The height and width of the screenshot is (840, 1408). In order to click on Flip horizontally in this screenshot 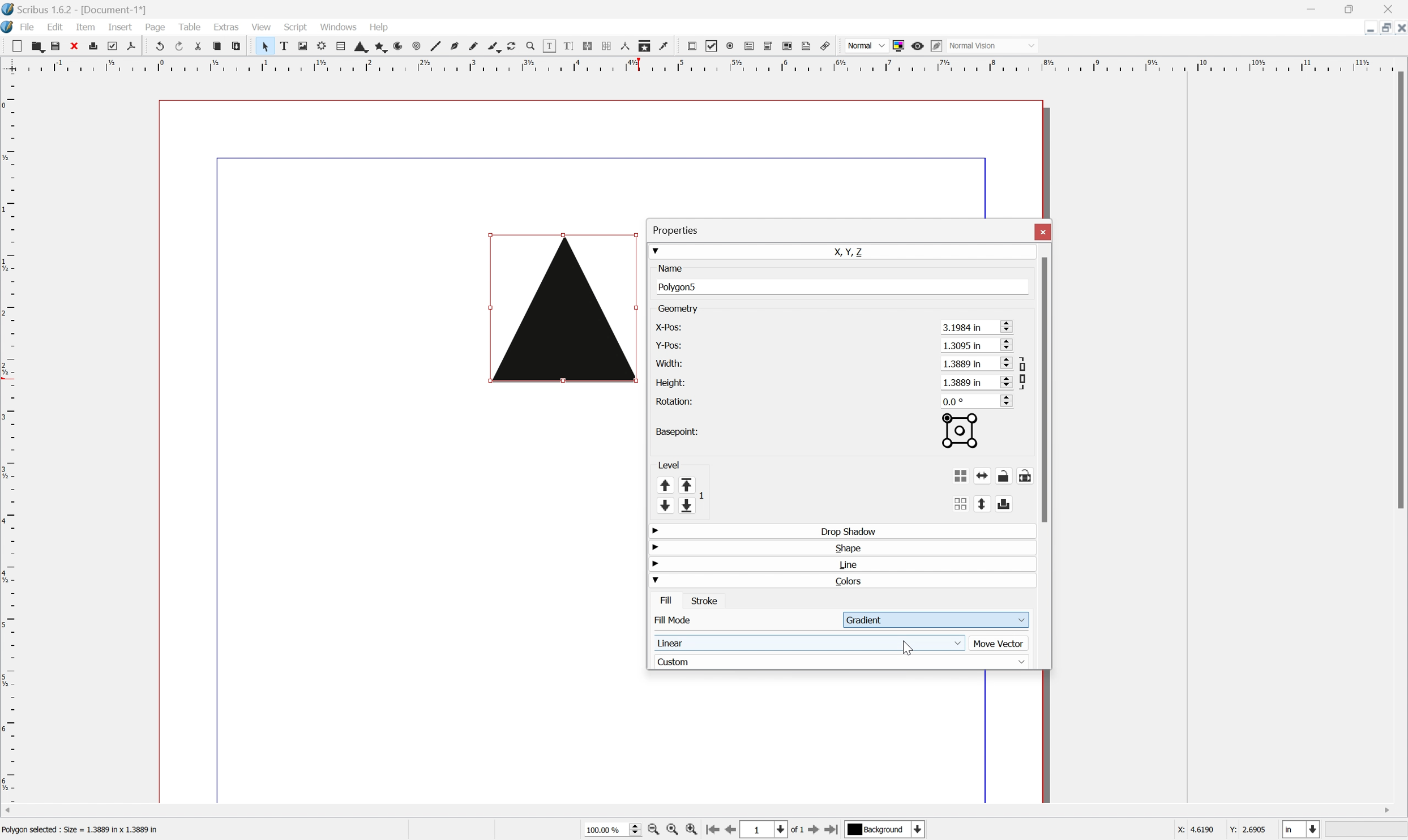, I will do `click(997, 474)`.